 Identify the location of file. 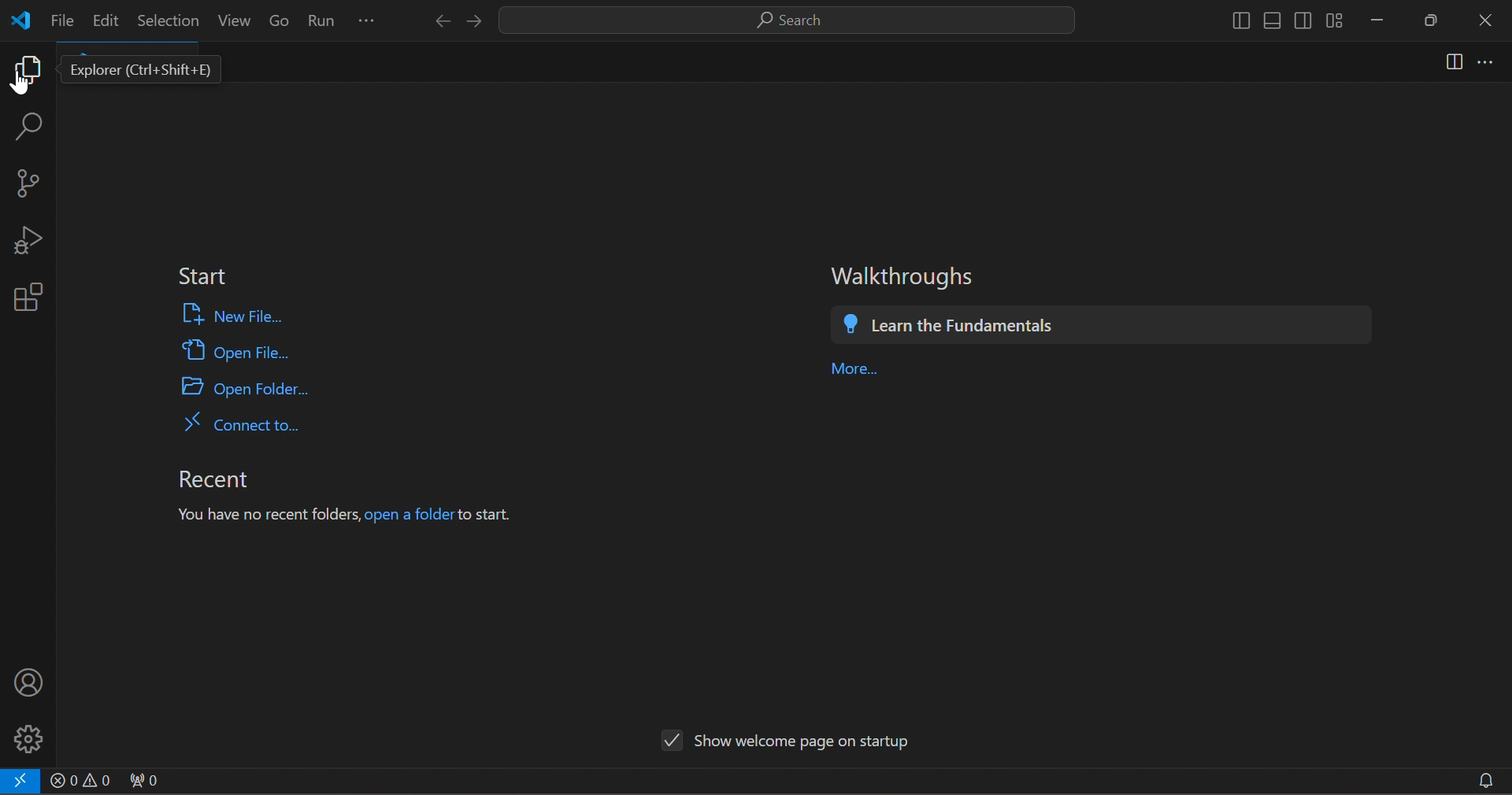
(61, 22).